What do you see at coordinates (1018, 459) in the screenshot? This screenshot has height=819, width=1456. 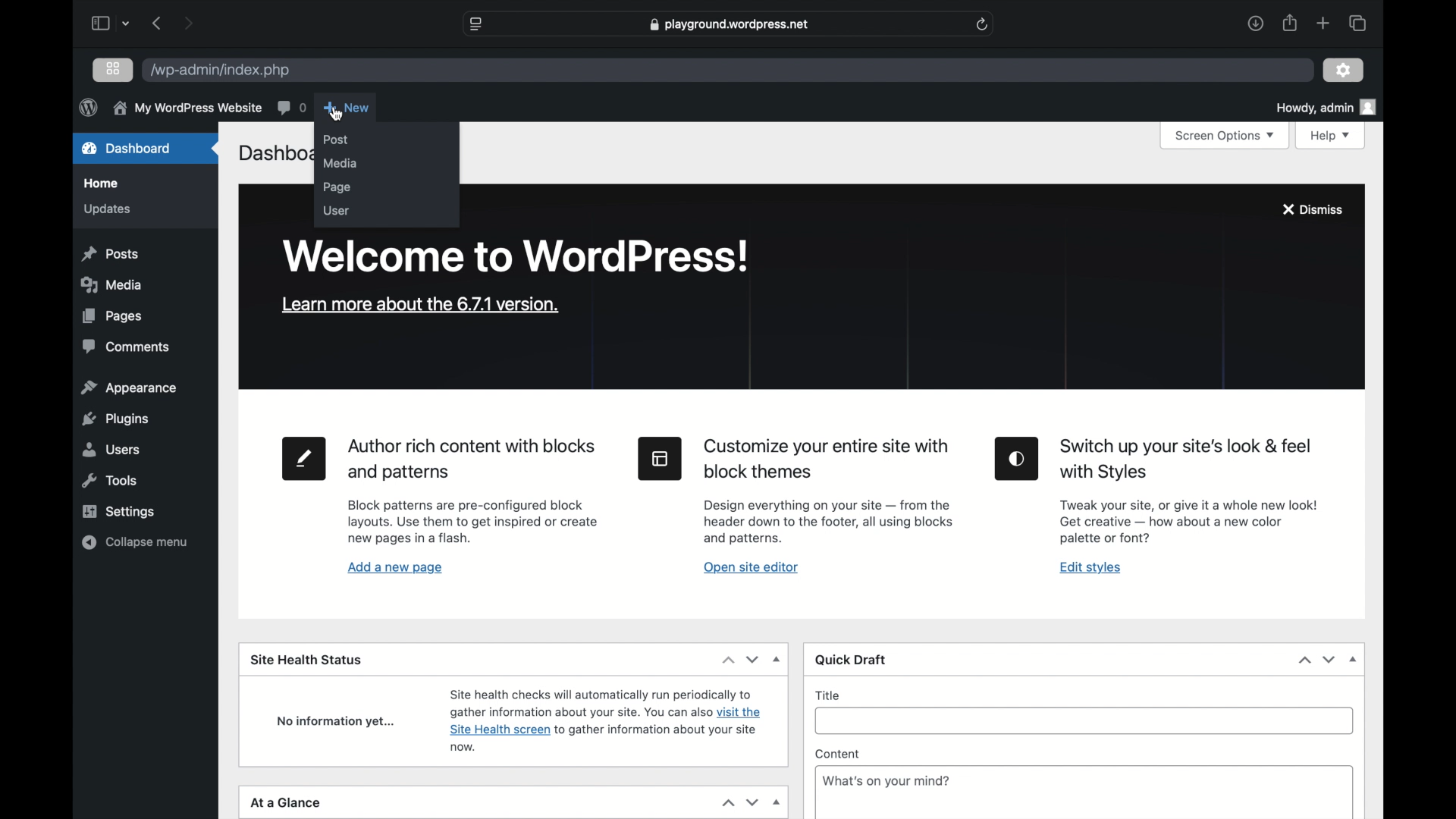 I see `edit styles` at bounding box center [1018, 459].